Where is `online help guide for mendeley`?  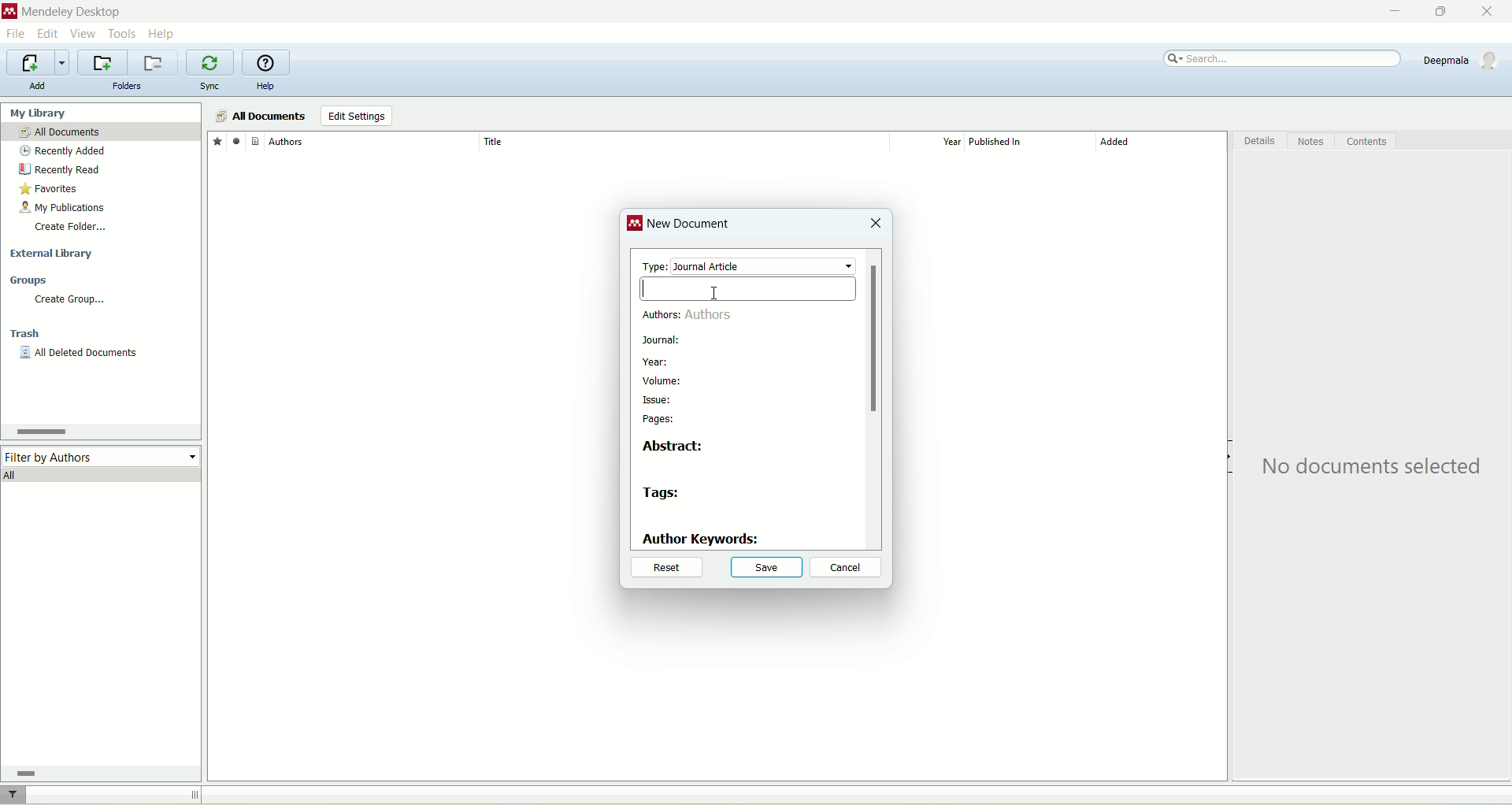
online help guide for mendeley is located at coordinates (267, 63).